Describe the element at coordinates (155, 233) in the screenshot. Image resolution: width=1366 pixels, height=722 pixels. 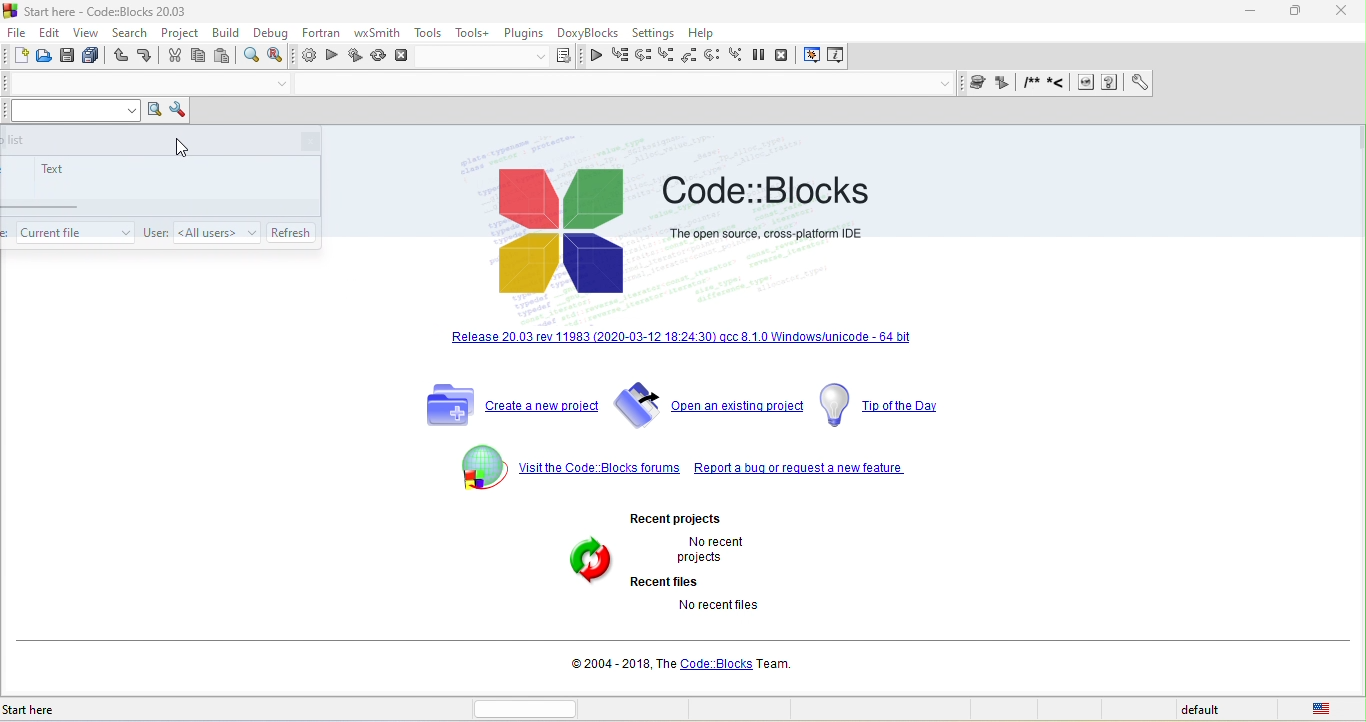
I see `user` at that location.